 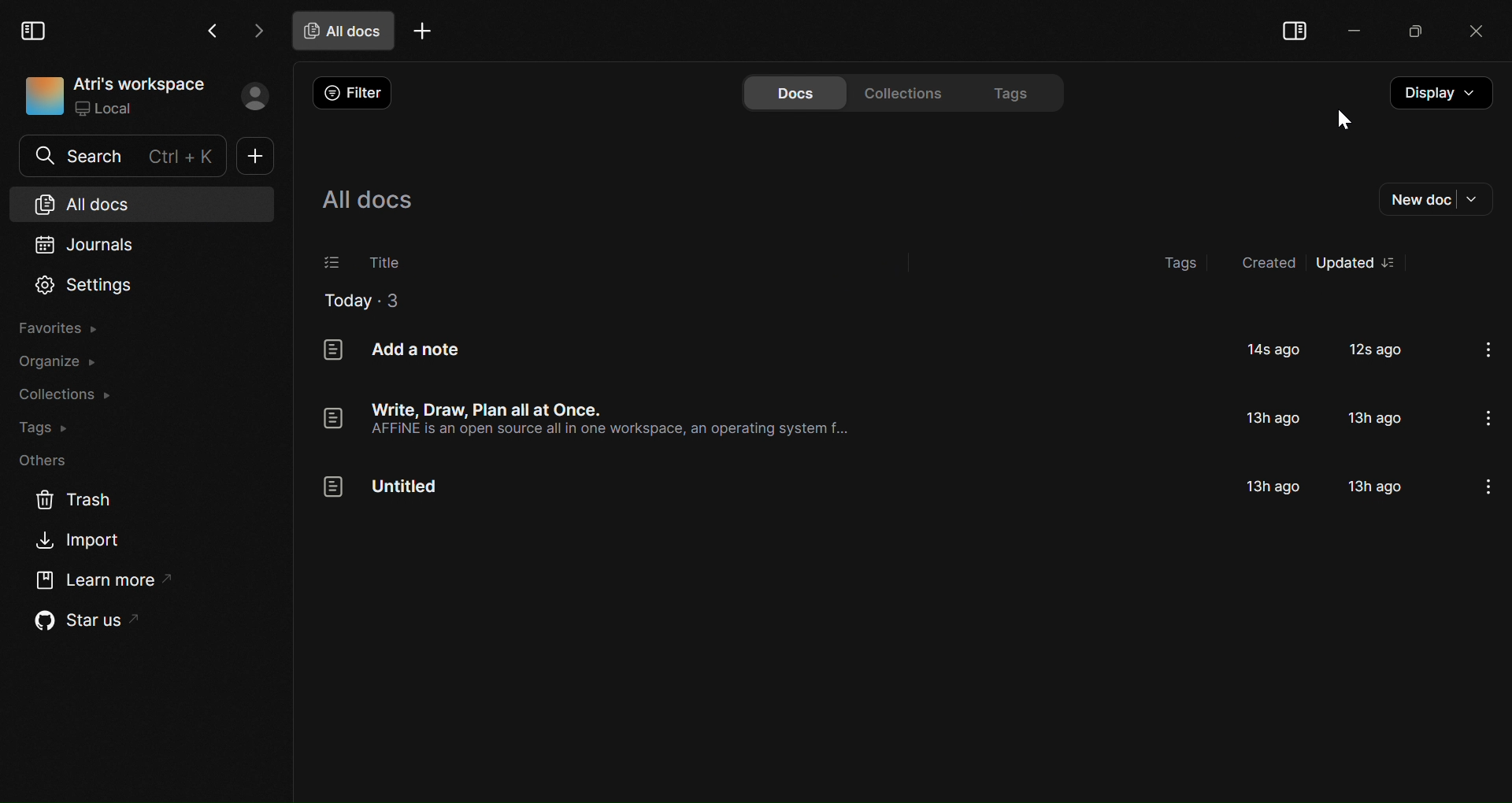 I want to click on Add a note, so click(x=414, y=350).